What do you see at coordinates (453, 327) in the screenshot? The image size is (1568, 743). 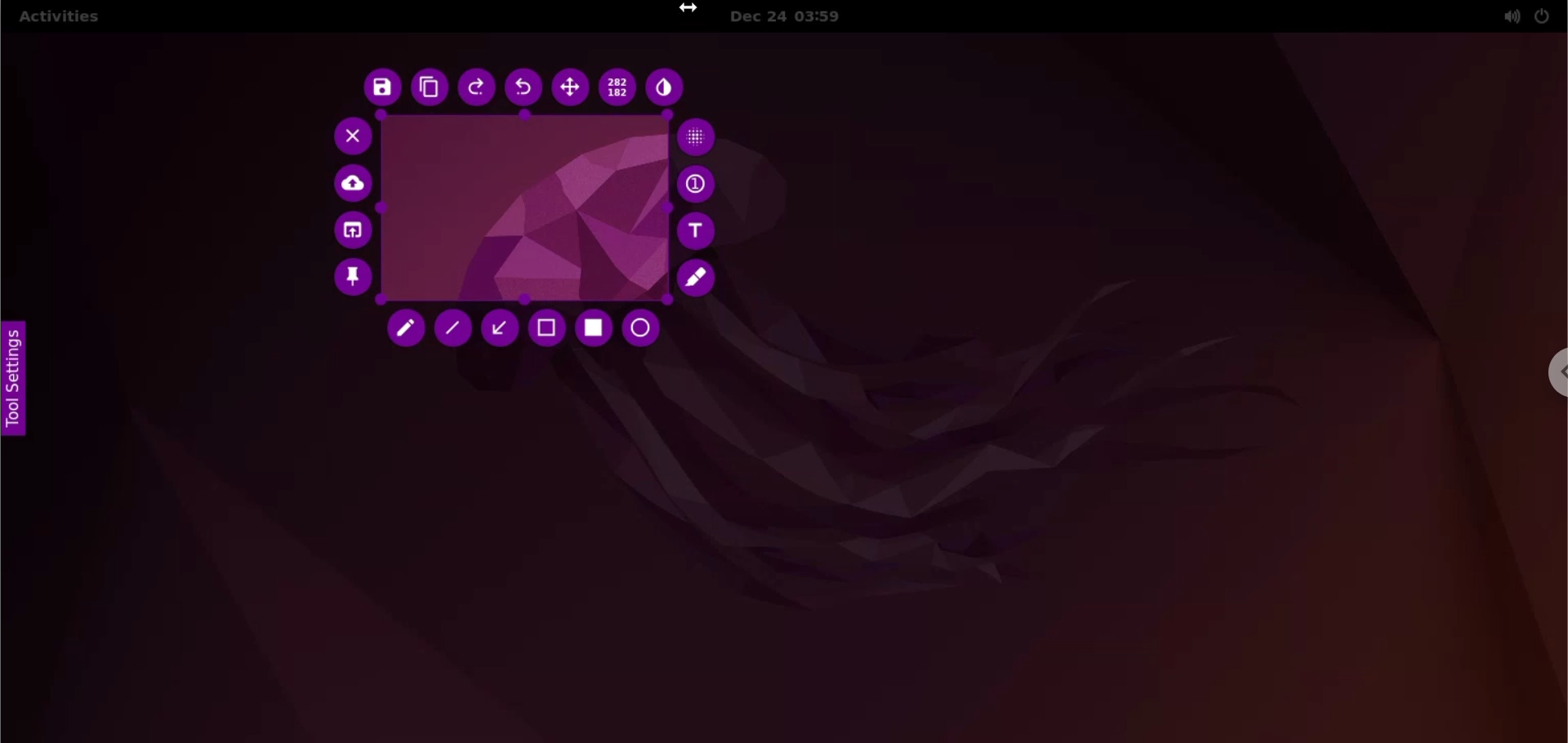 I see `line` at bounding box center [453, 327].